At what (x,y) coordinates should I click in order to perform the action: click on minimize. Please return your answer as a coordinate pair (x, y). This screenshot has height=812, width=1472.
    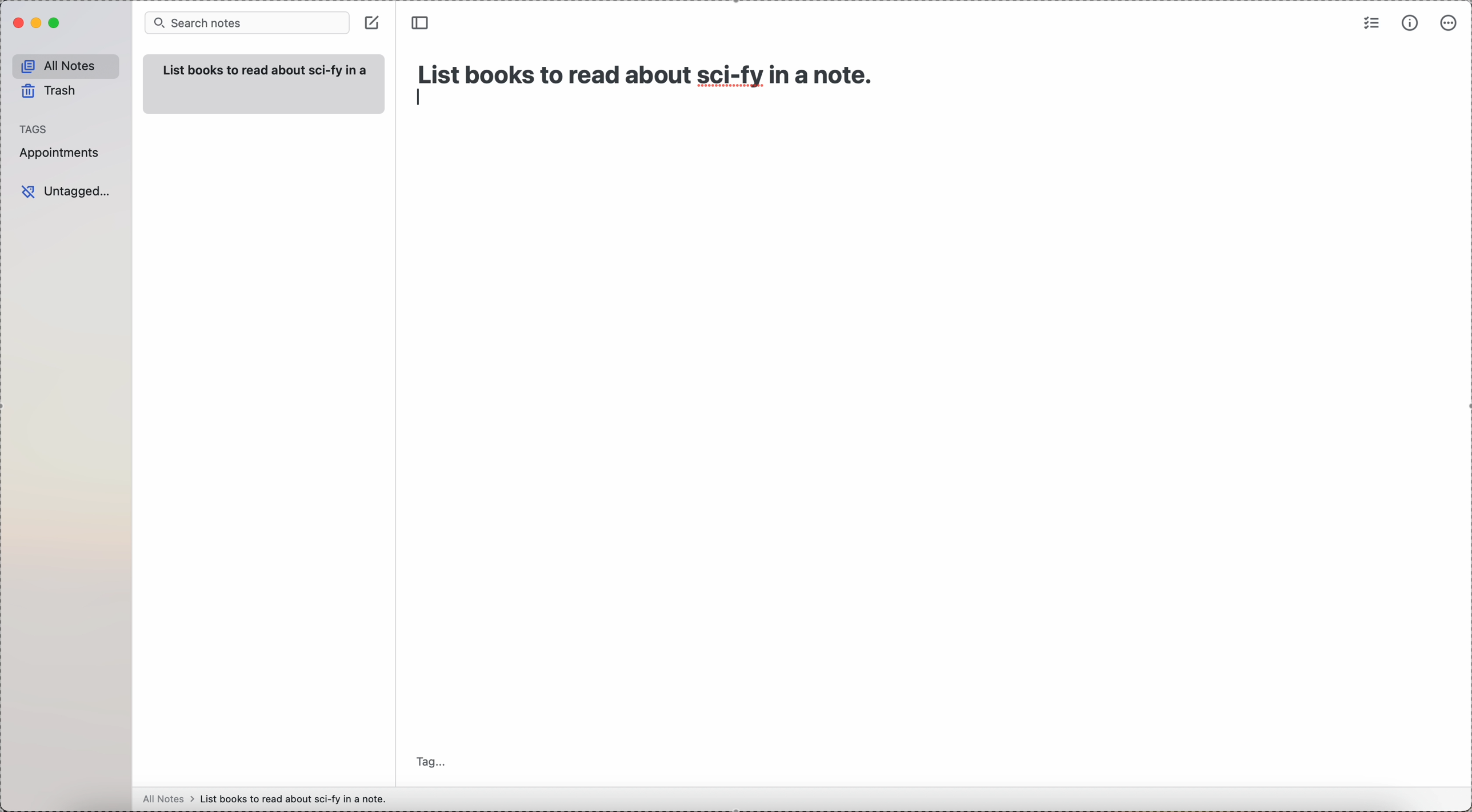
    Looking at the image, I should click on (34, 23).